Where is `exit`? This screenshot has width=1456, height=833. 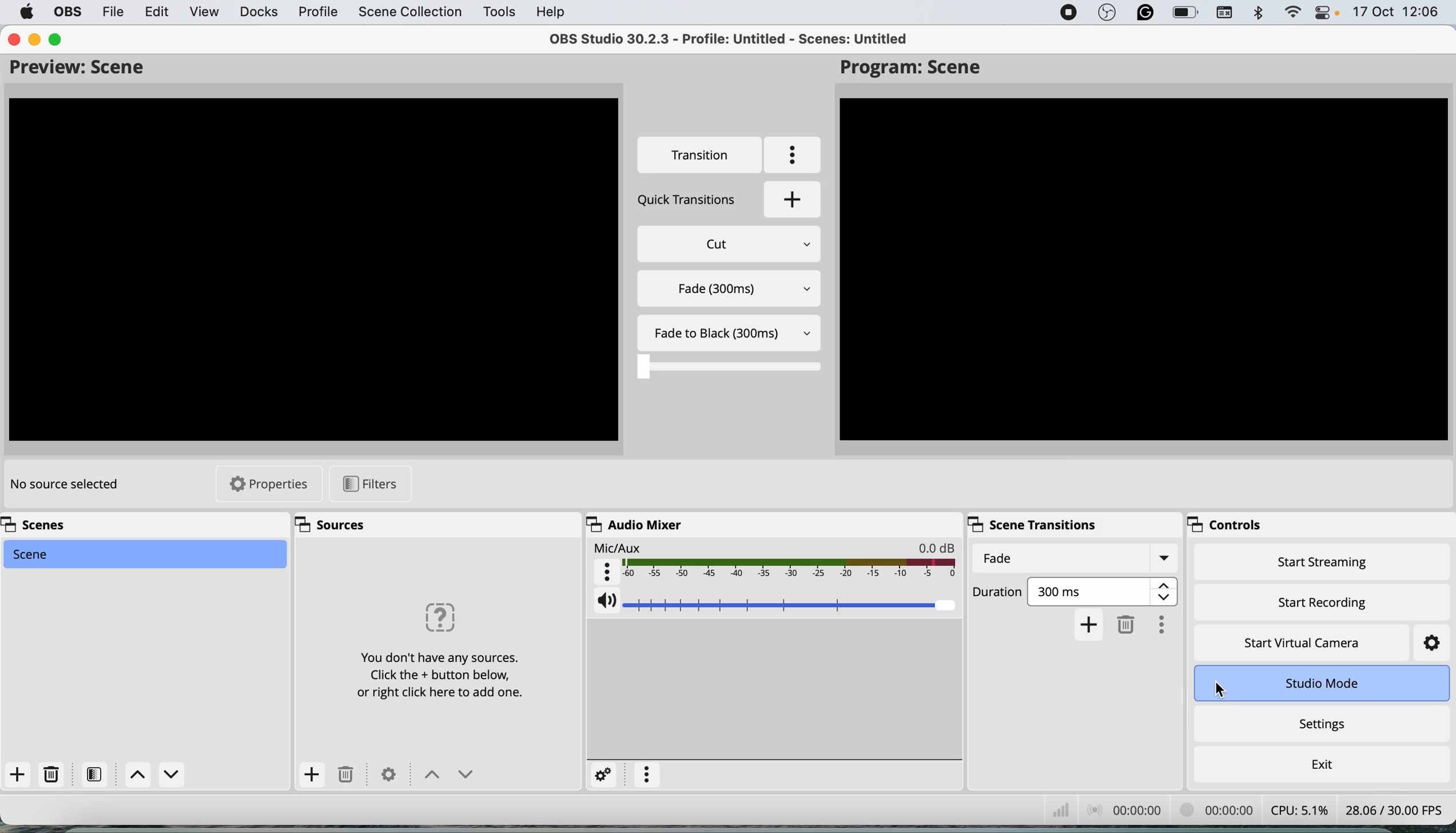 exit is located at coordinates (1323, 763).